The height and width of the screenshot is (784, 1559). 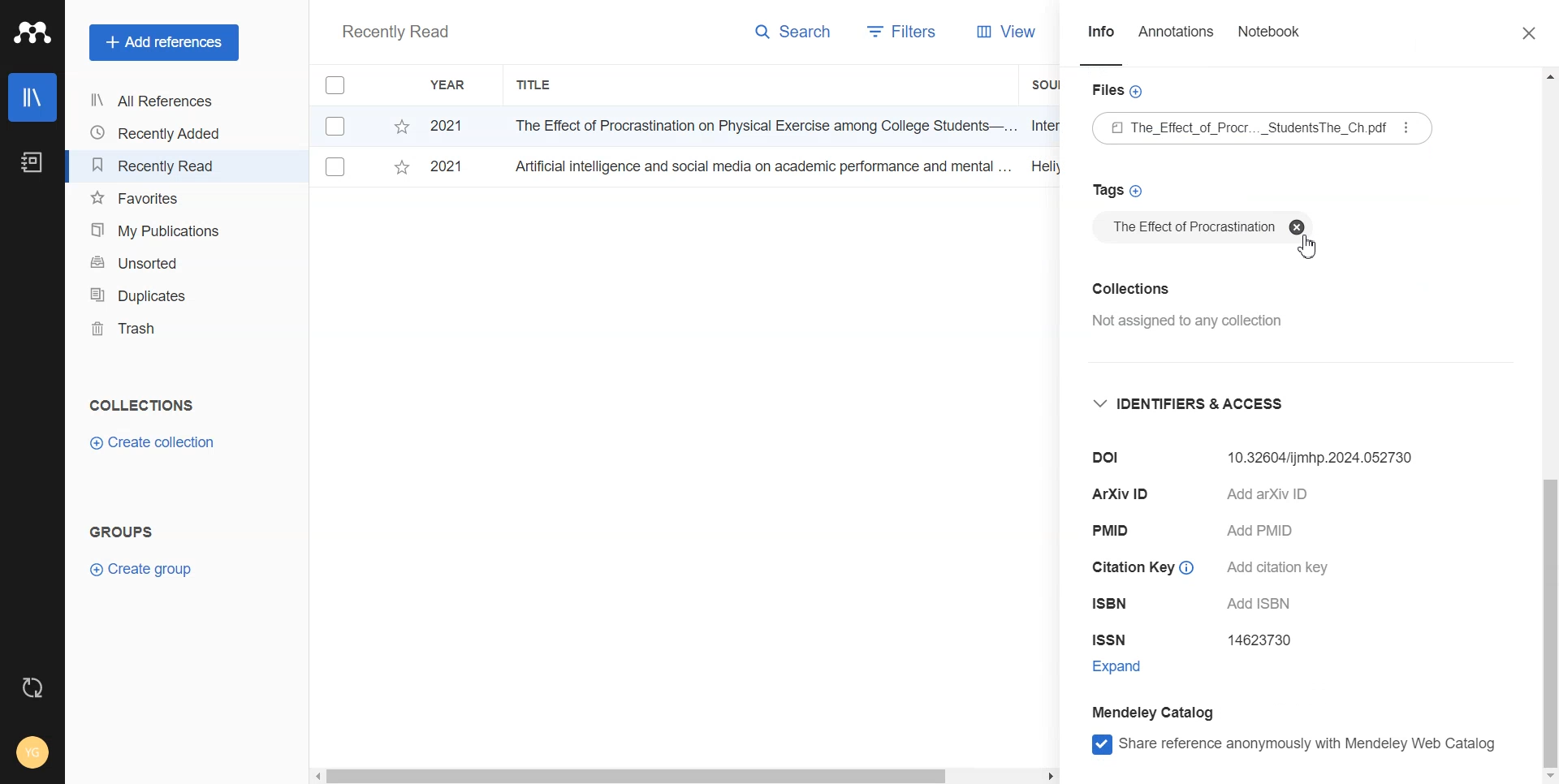 What do you see at coordinates (1194, 306) in the screenshot?
I see `Collection  Not assigned to any collection` at bounding box center [1194, 306].